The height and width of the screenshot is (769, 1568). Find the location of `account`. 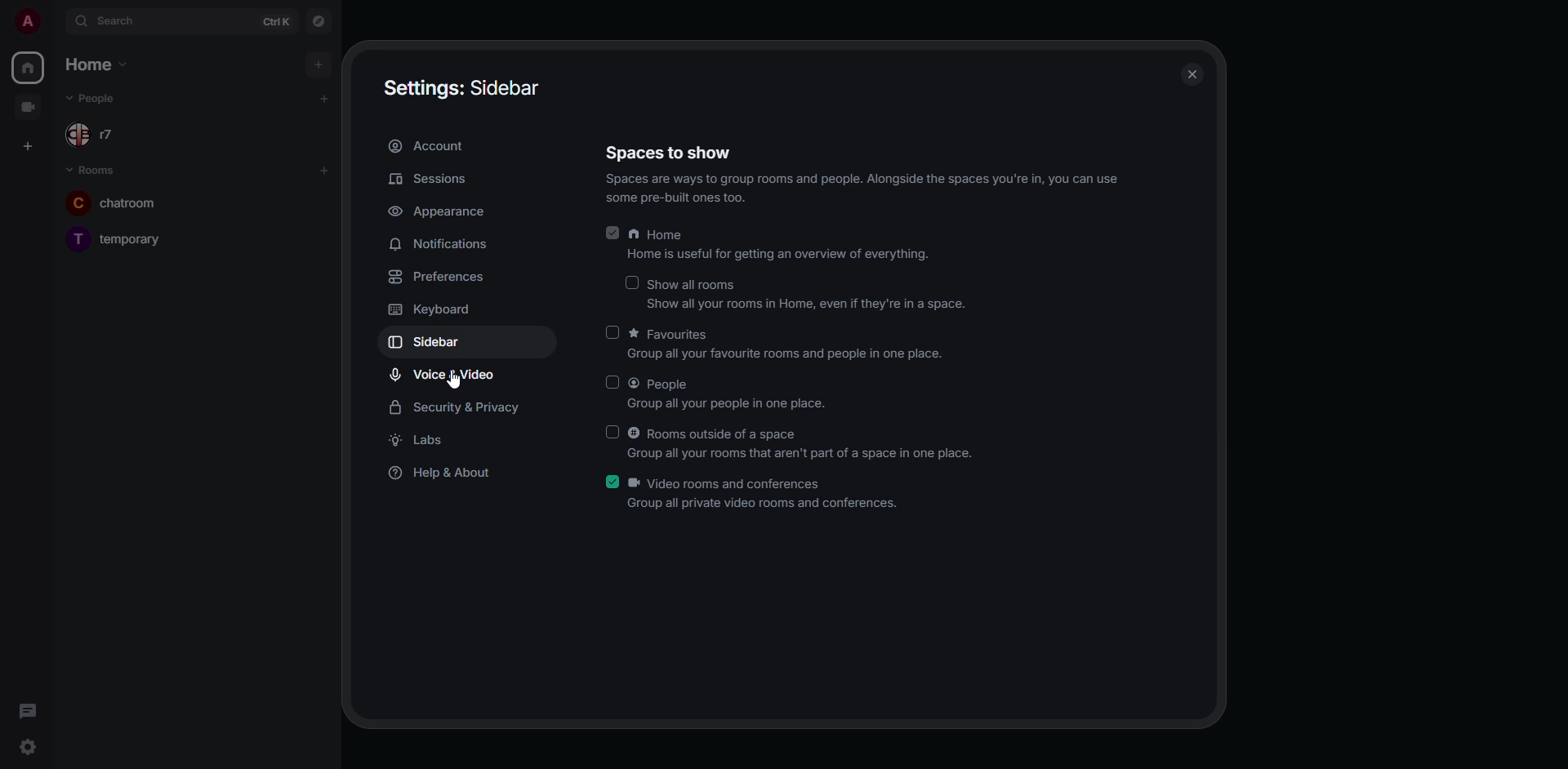

account is located at coordinates (439, 148).